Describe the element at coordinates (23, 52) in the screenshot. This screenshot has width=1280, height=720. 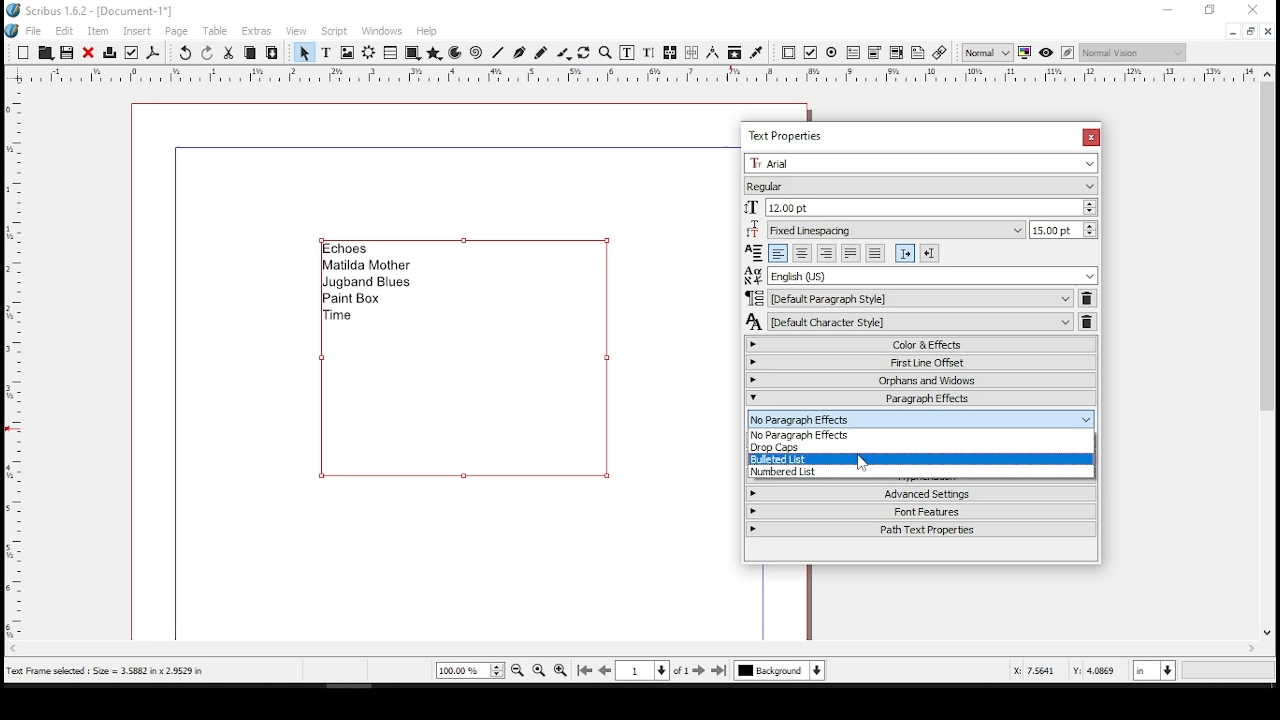
I see `new` at that location.